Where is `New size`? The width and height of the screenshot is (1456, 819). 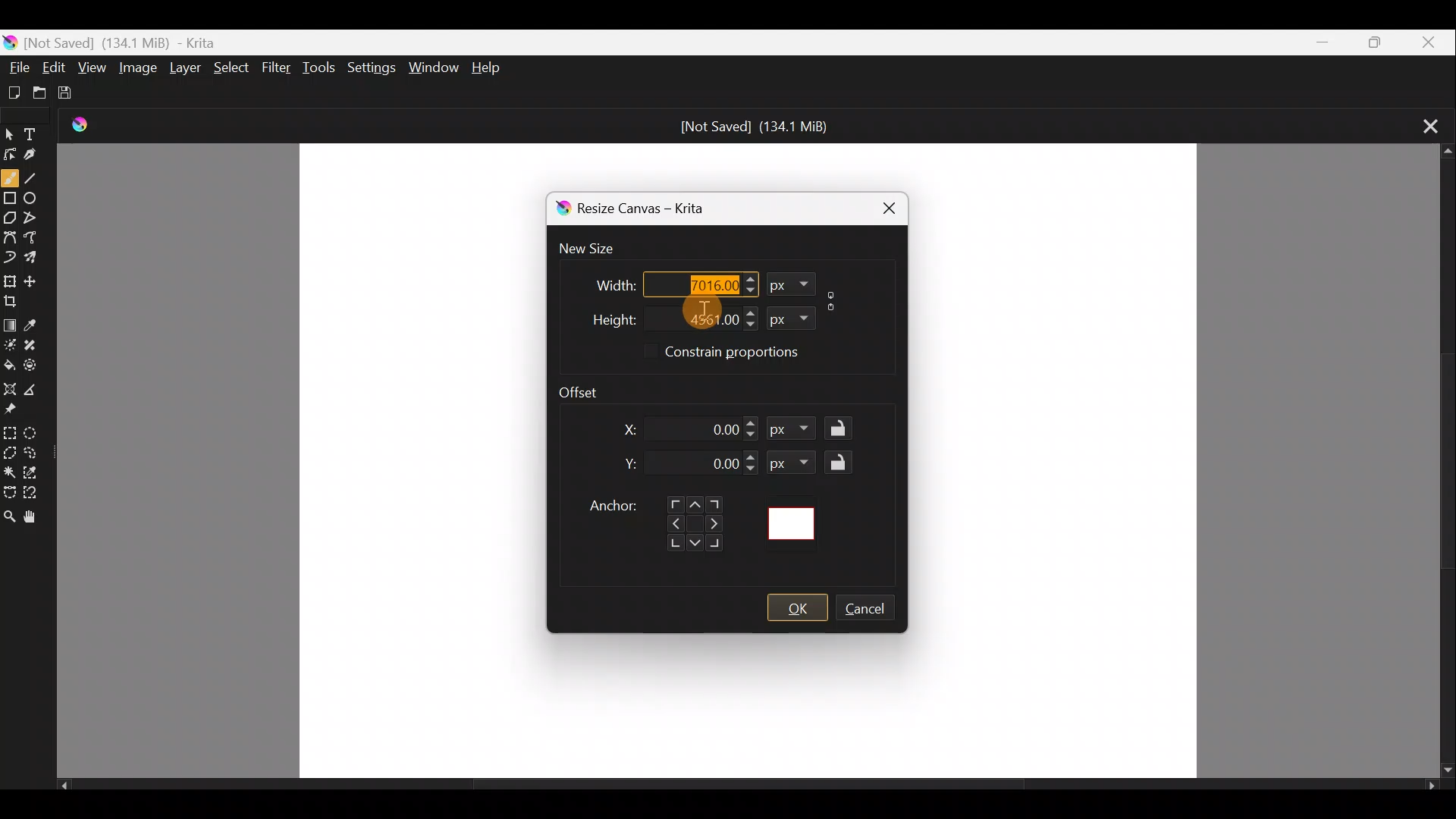 New size is located at coordinates (596, 249).